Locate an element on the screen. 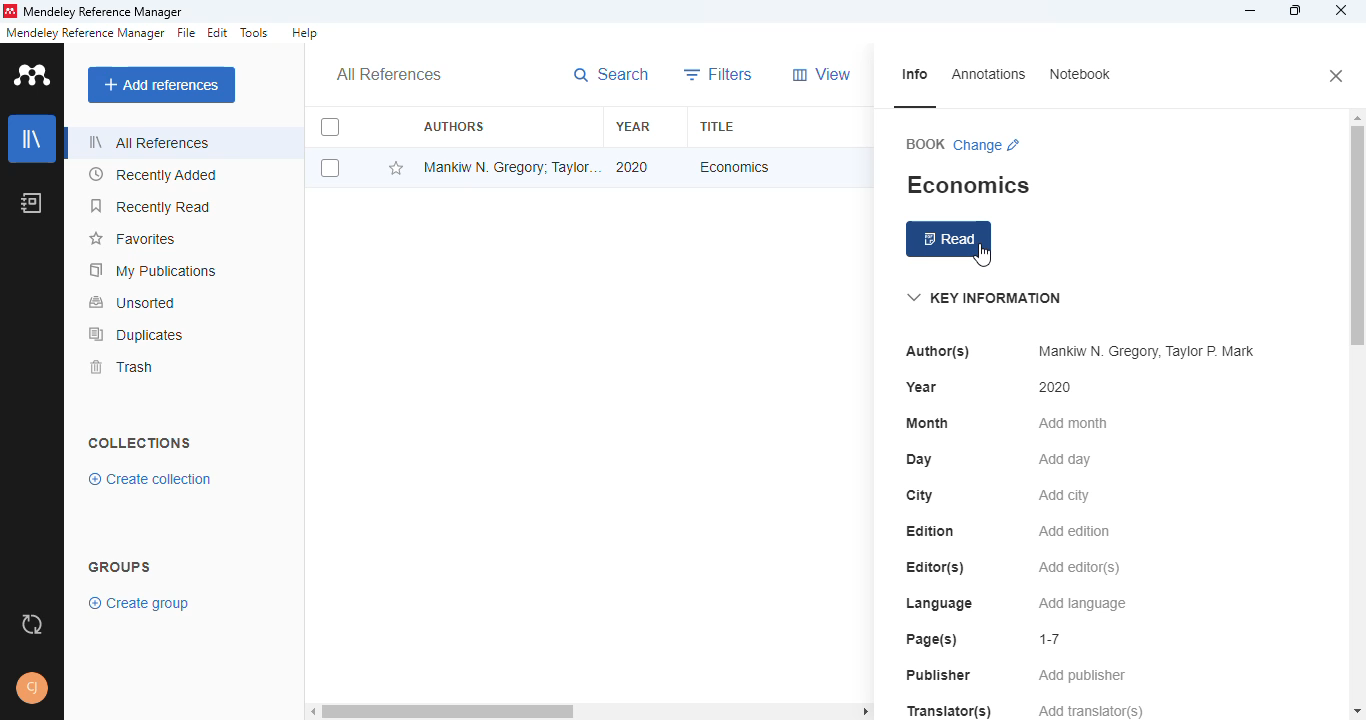  logo is located at coordinates (10, 11).